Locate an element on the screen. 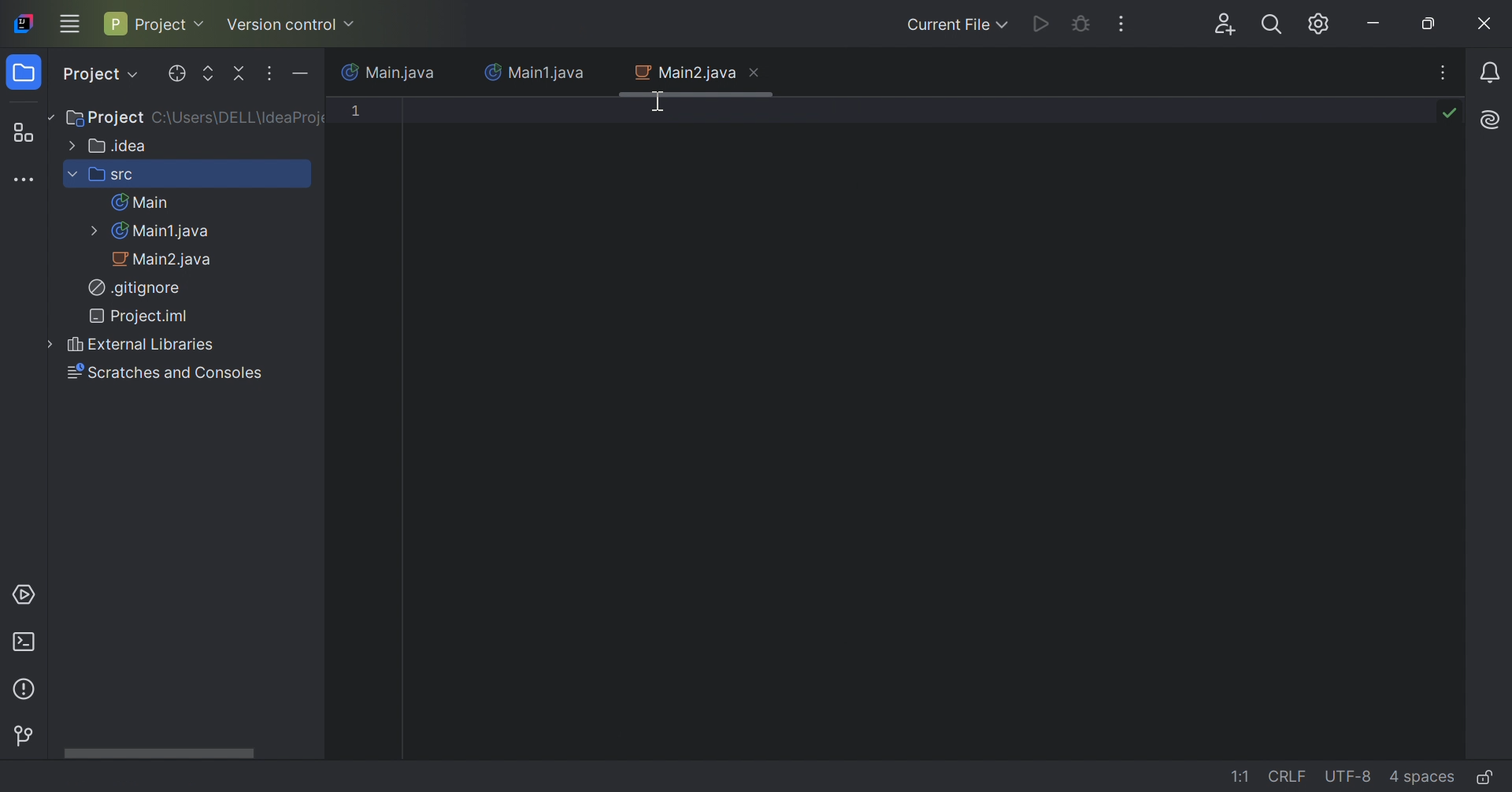 The image size is (1512, 792). Icon is located at coordinates (22, 23).